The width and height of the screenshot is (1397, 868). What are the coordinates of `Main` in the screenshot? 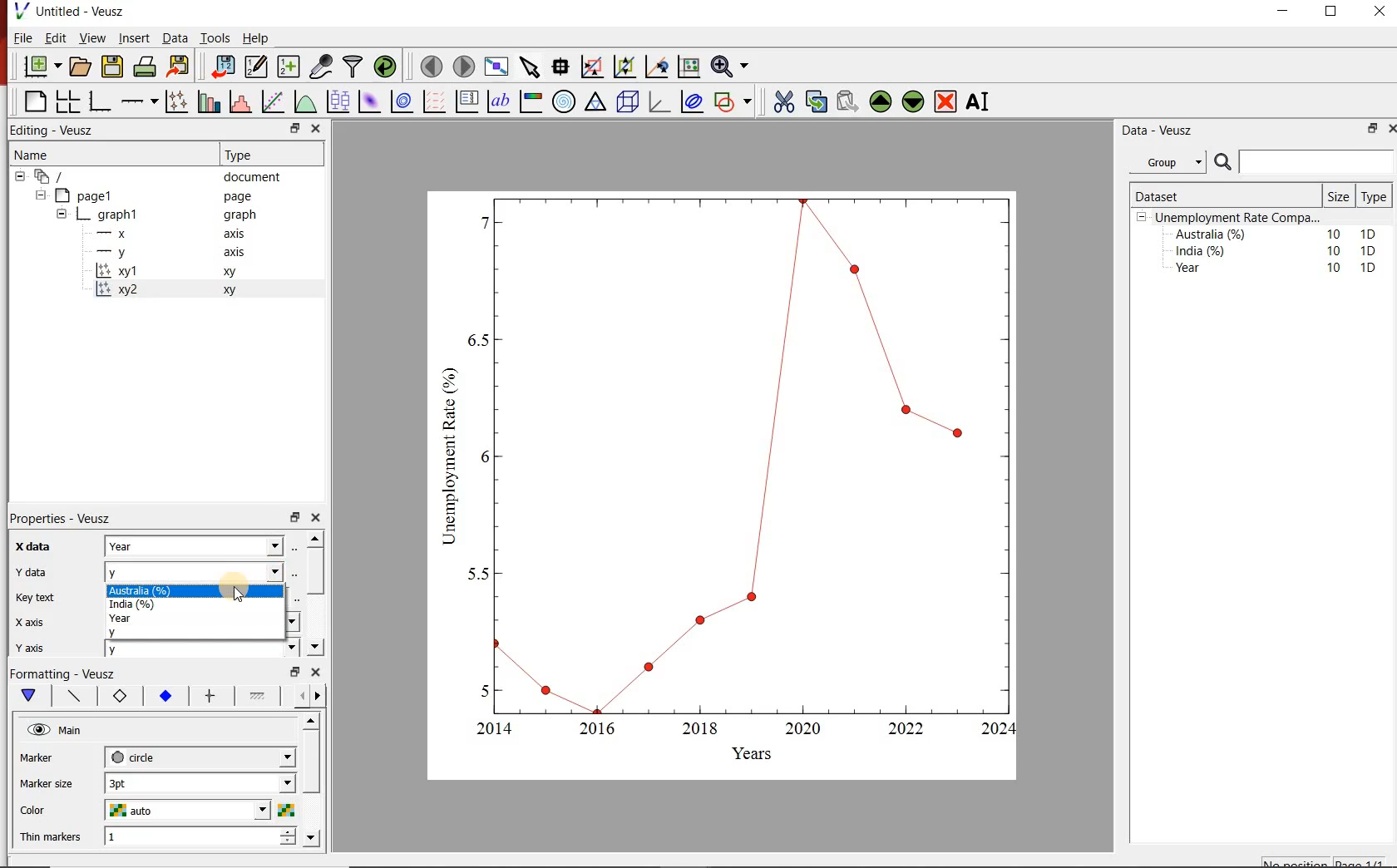 It's located at (72, 731).